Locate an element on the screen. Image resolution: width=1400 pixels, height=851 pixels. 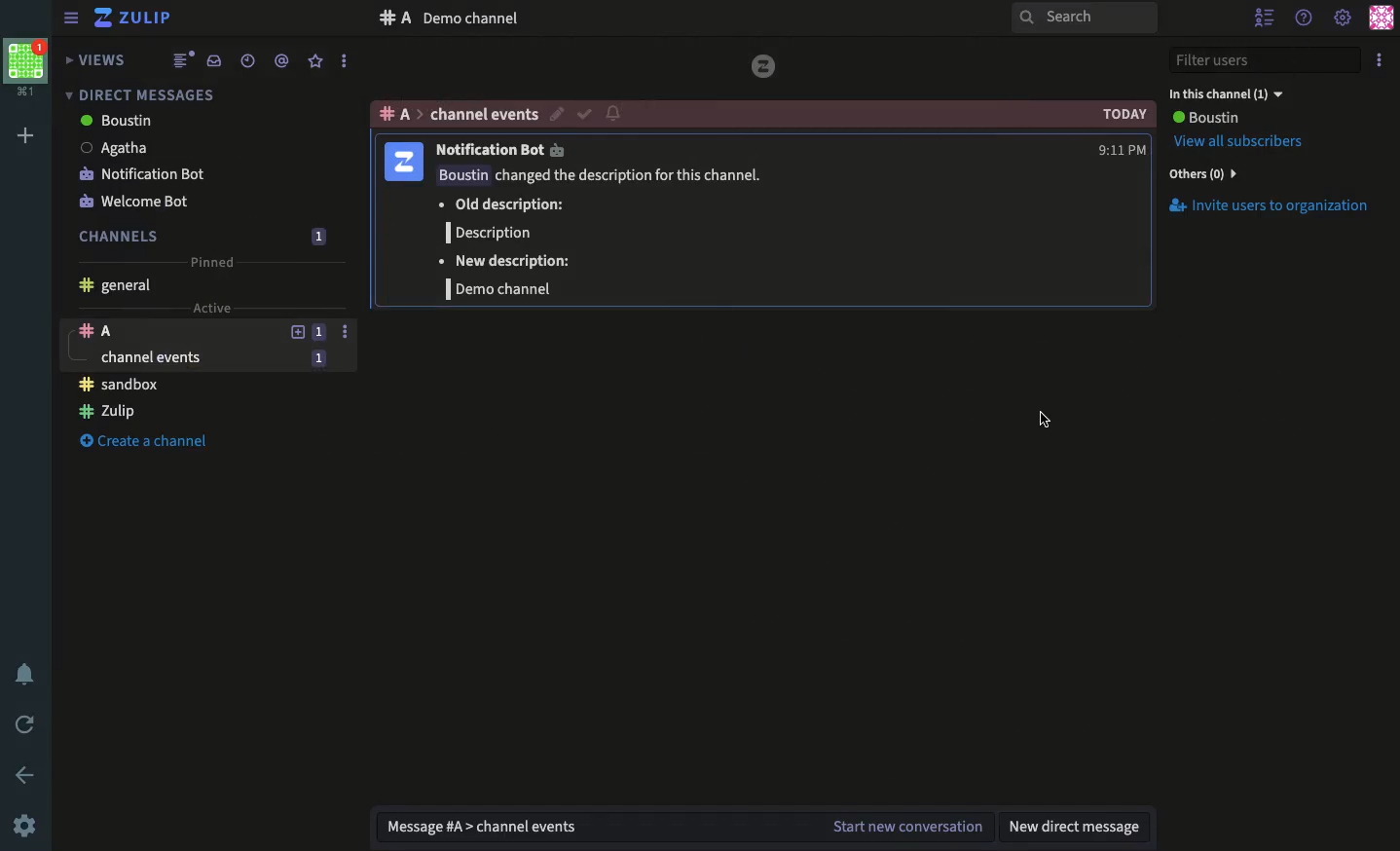
1 message is located at coordinates (319, 358).